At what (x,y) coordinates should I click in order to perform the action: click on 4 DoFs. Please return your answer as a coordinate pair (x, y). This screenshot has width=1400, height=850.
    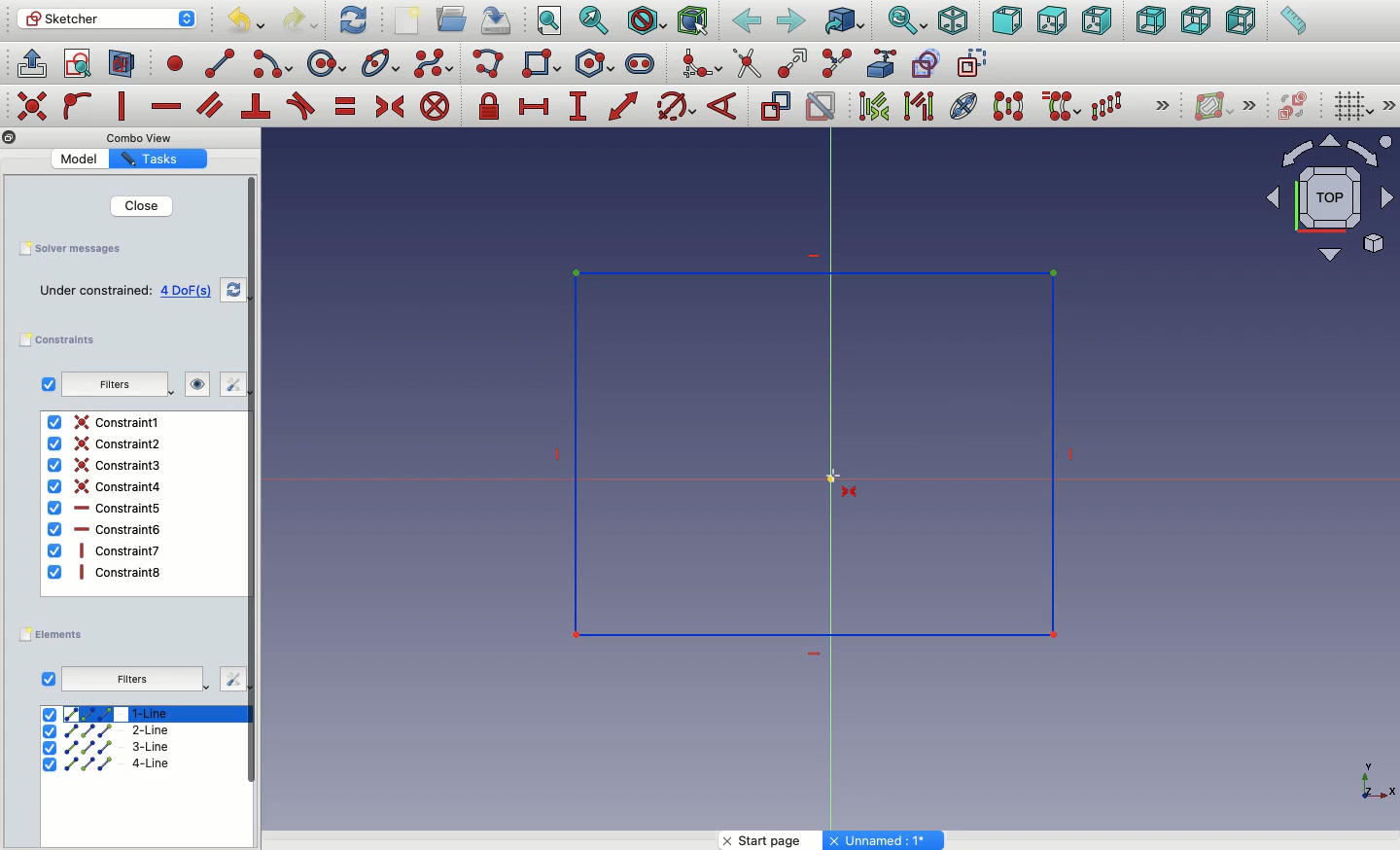
    Looking at the image, I should click on (191, 291).